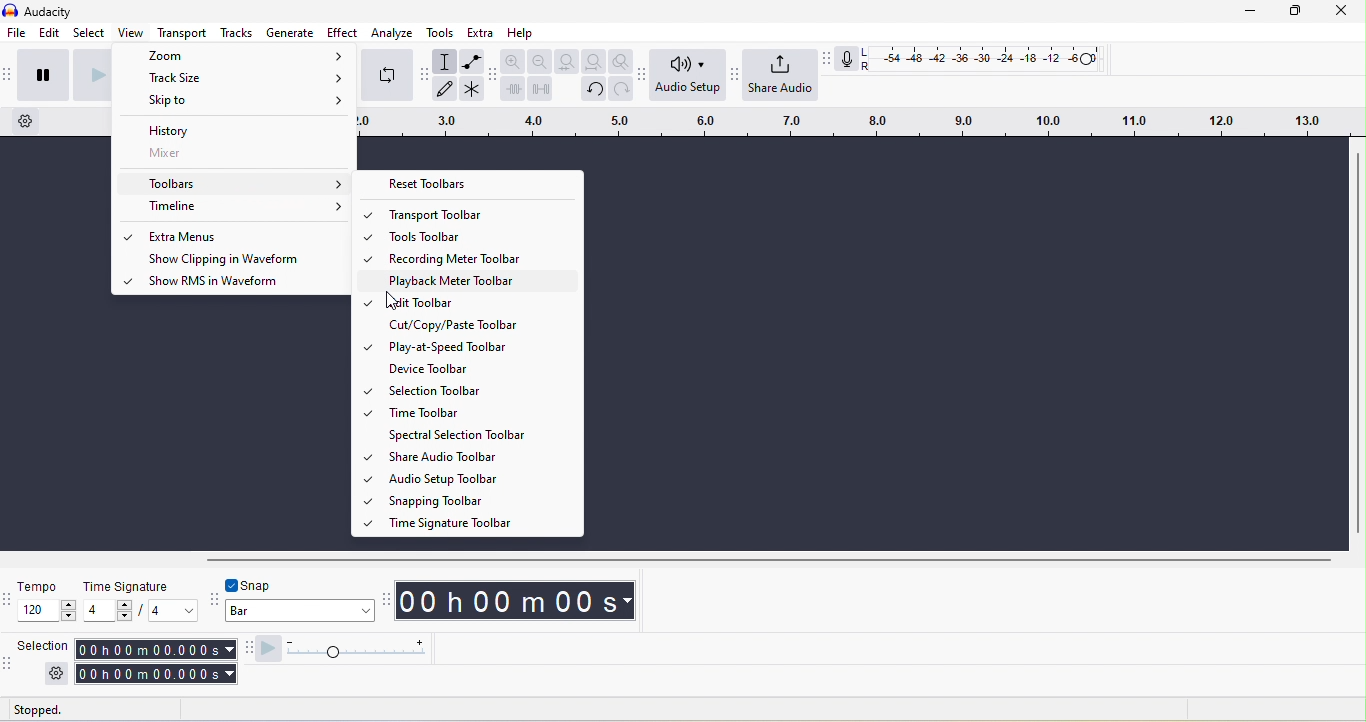  Describe the element at coordinates (157, 674) in the screenshot. I see `selection end time` at that location.